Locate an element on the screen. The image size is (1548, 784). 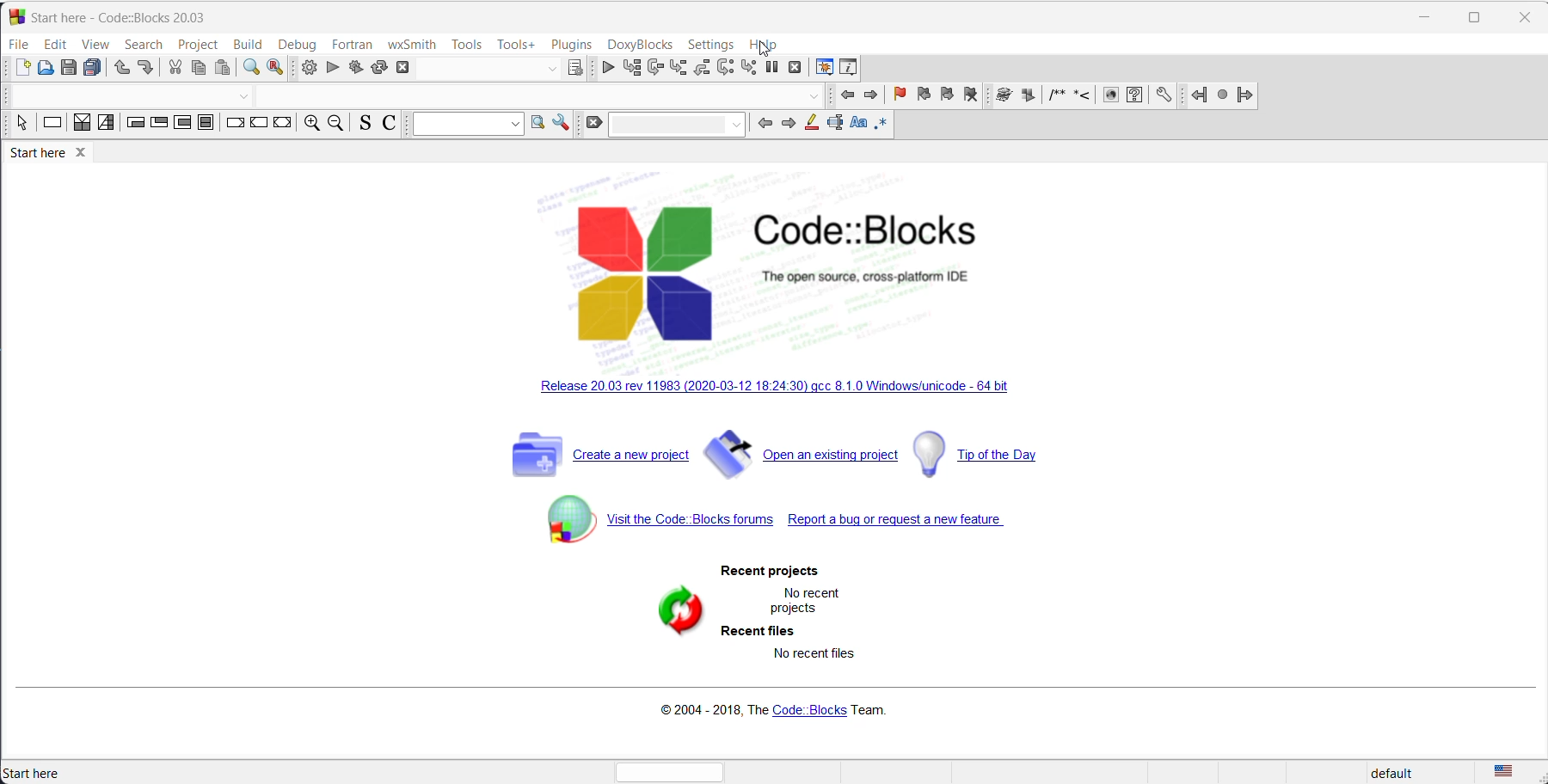
run is located at coordinates (329, 70).